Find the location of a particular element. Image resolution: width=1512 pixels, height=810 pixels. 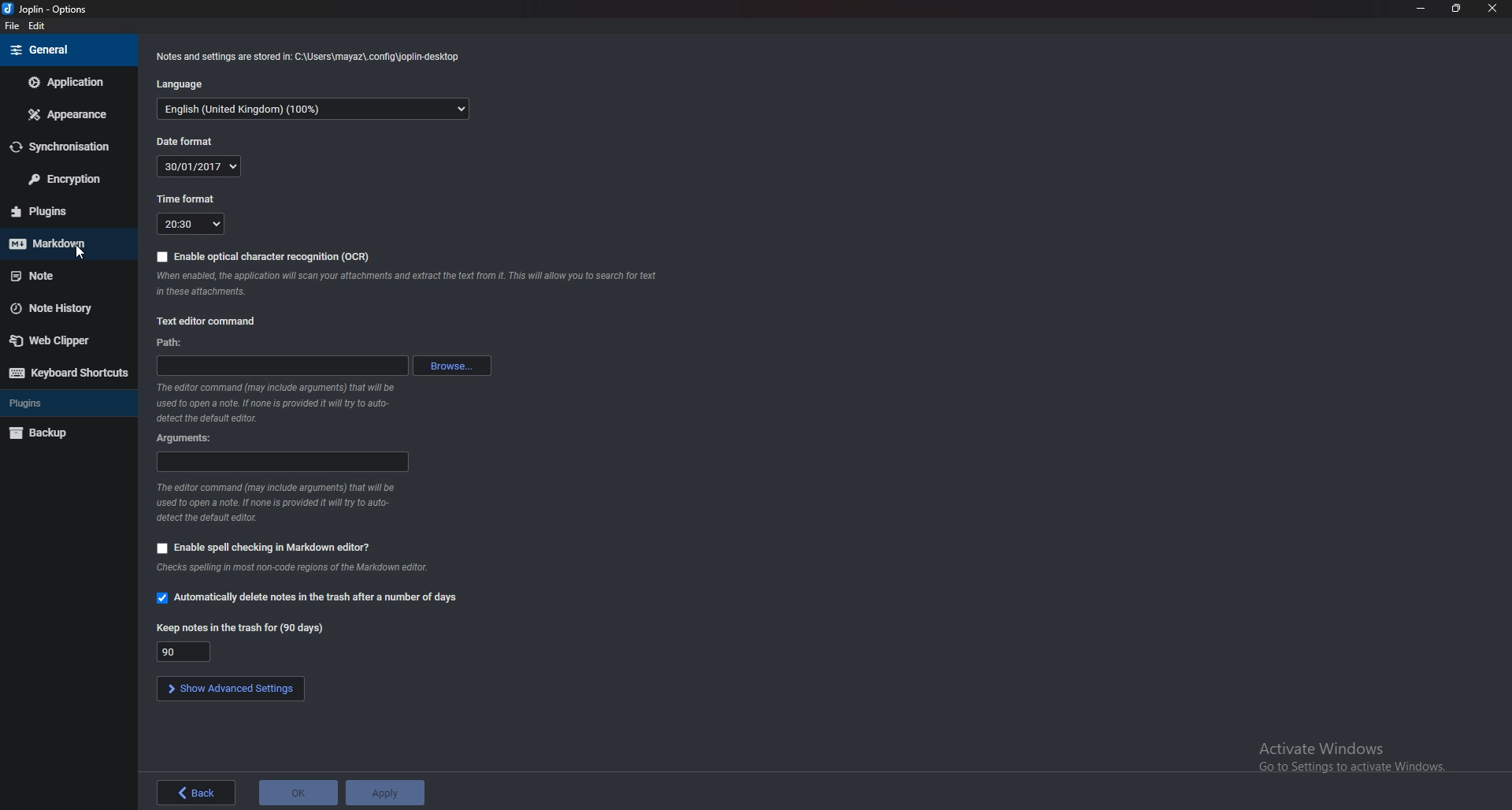

show advanced settings is located at coordinates (230, 689).